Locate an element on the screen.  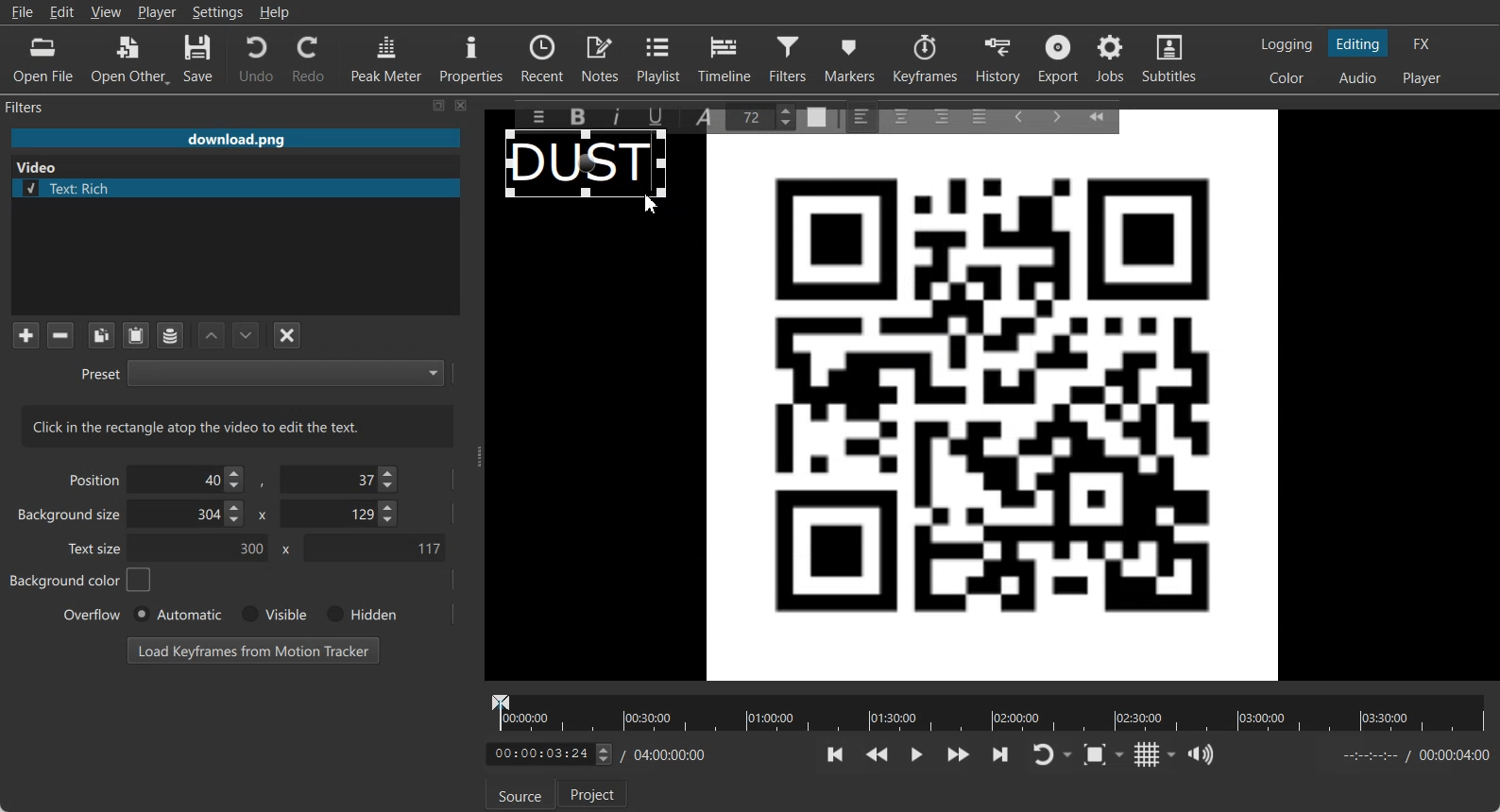
Undo is located at coordinates (256, 58).